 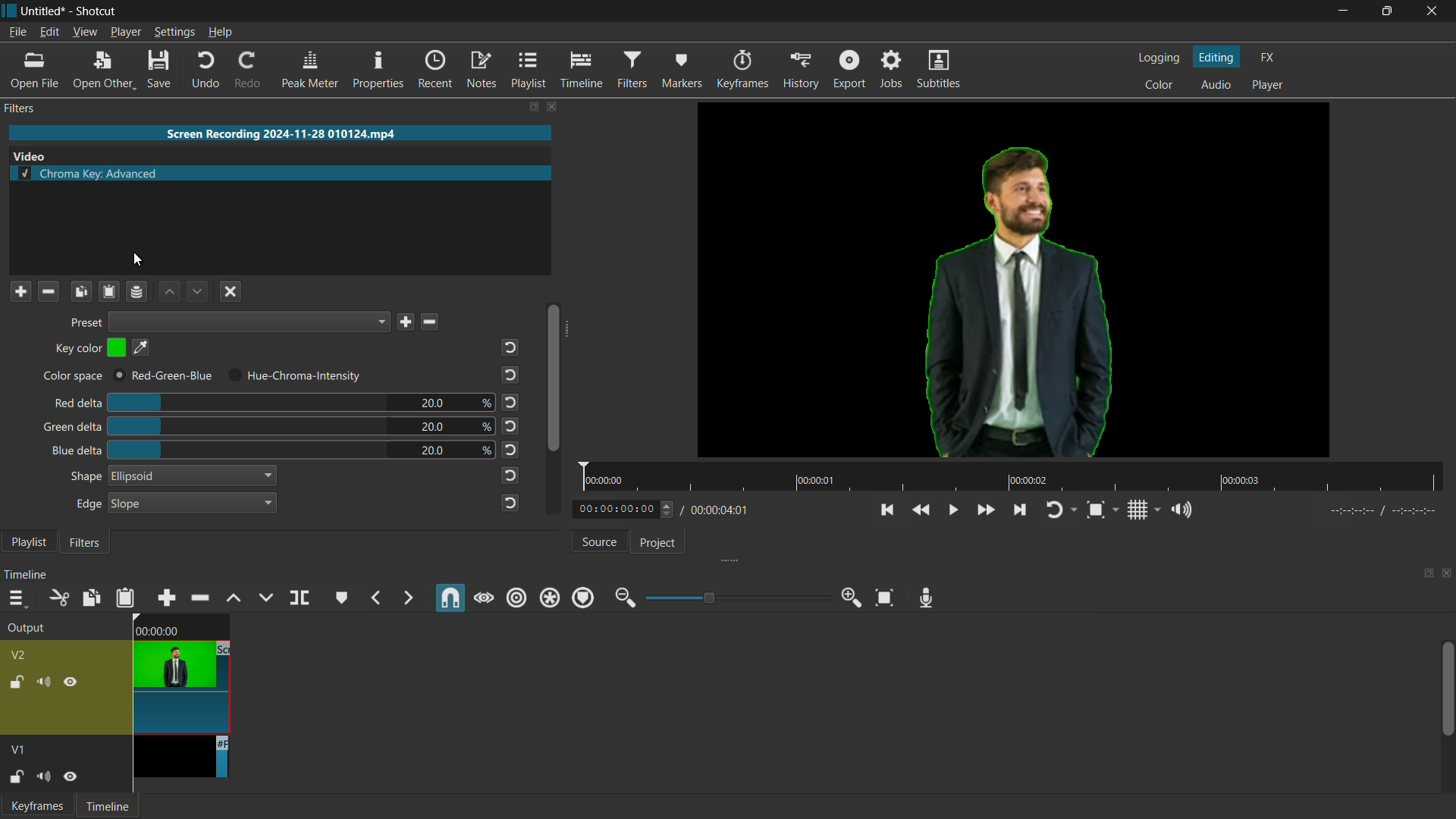 What do you see at coordinates (670, 510) in the screenshot?
I see `Up/Down` at bounding box center [670, 510].